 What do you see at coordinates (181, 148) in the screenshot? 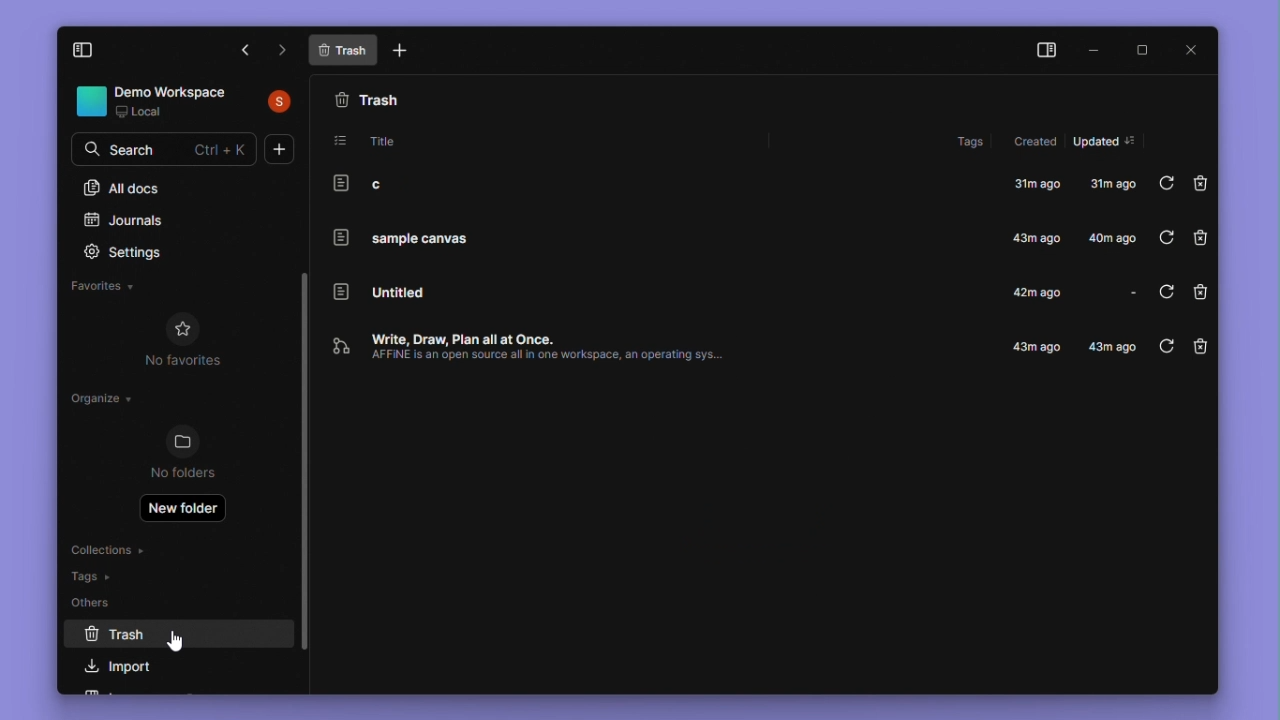
I see `Search` at bounding box center [181, 148].